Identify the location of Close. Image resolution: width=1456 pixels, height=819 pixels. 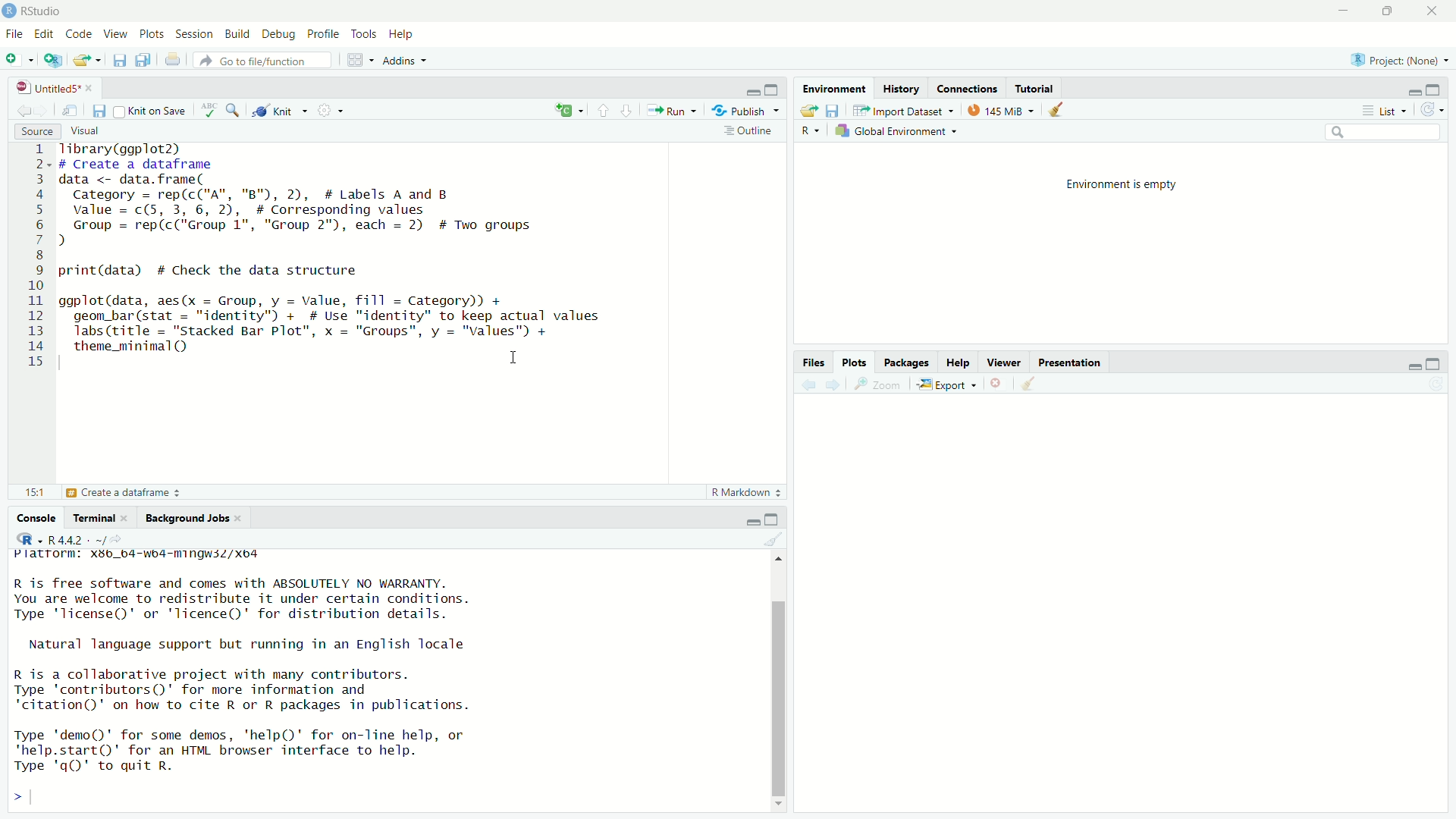
(1435, 12).